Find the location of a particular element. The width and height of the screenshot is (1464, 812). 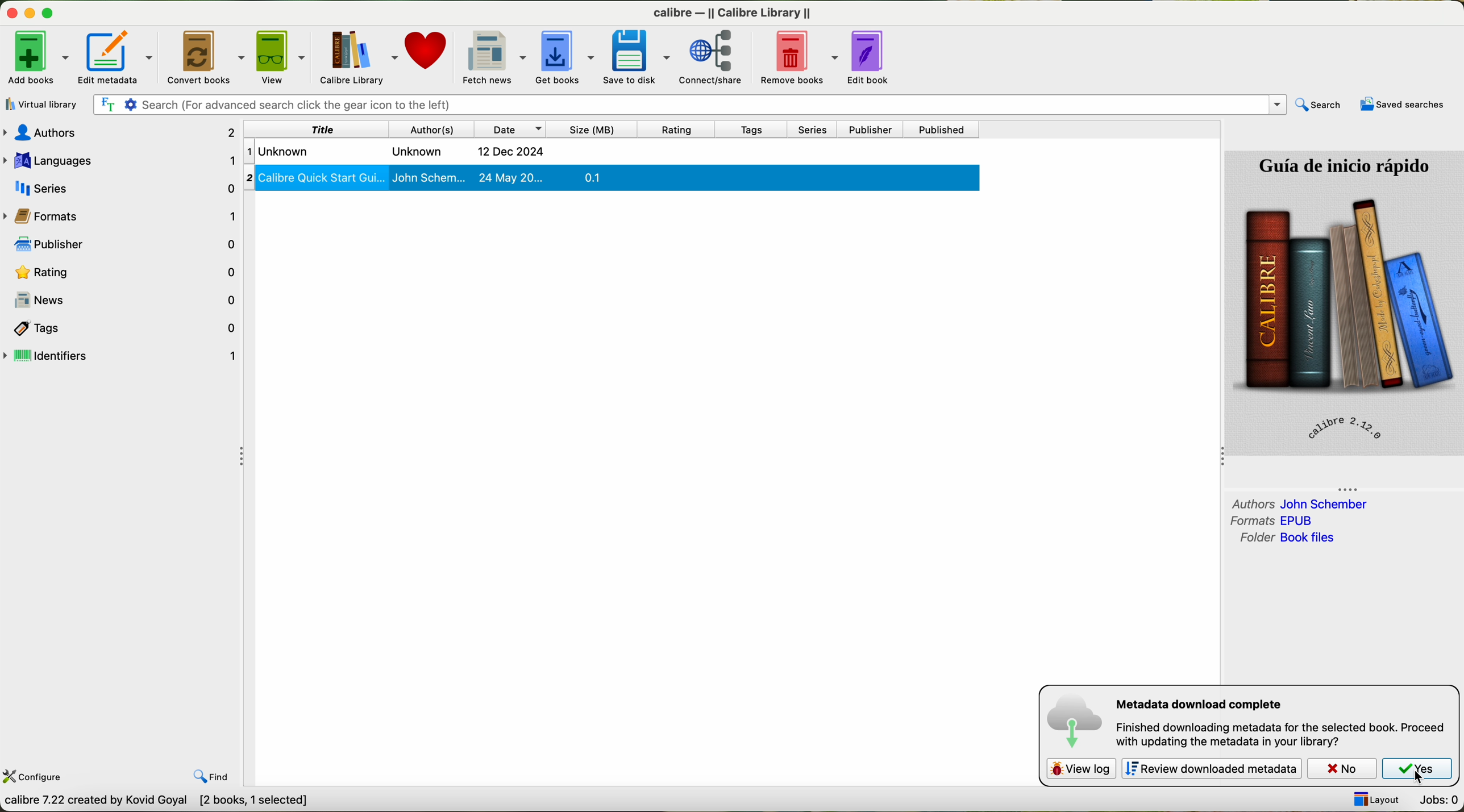

tags is located at coordinates (748, 131).